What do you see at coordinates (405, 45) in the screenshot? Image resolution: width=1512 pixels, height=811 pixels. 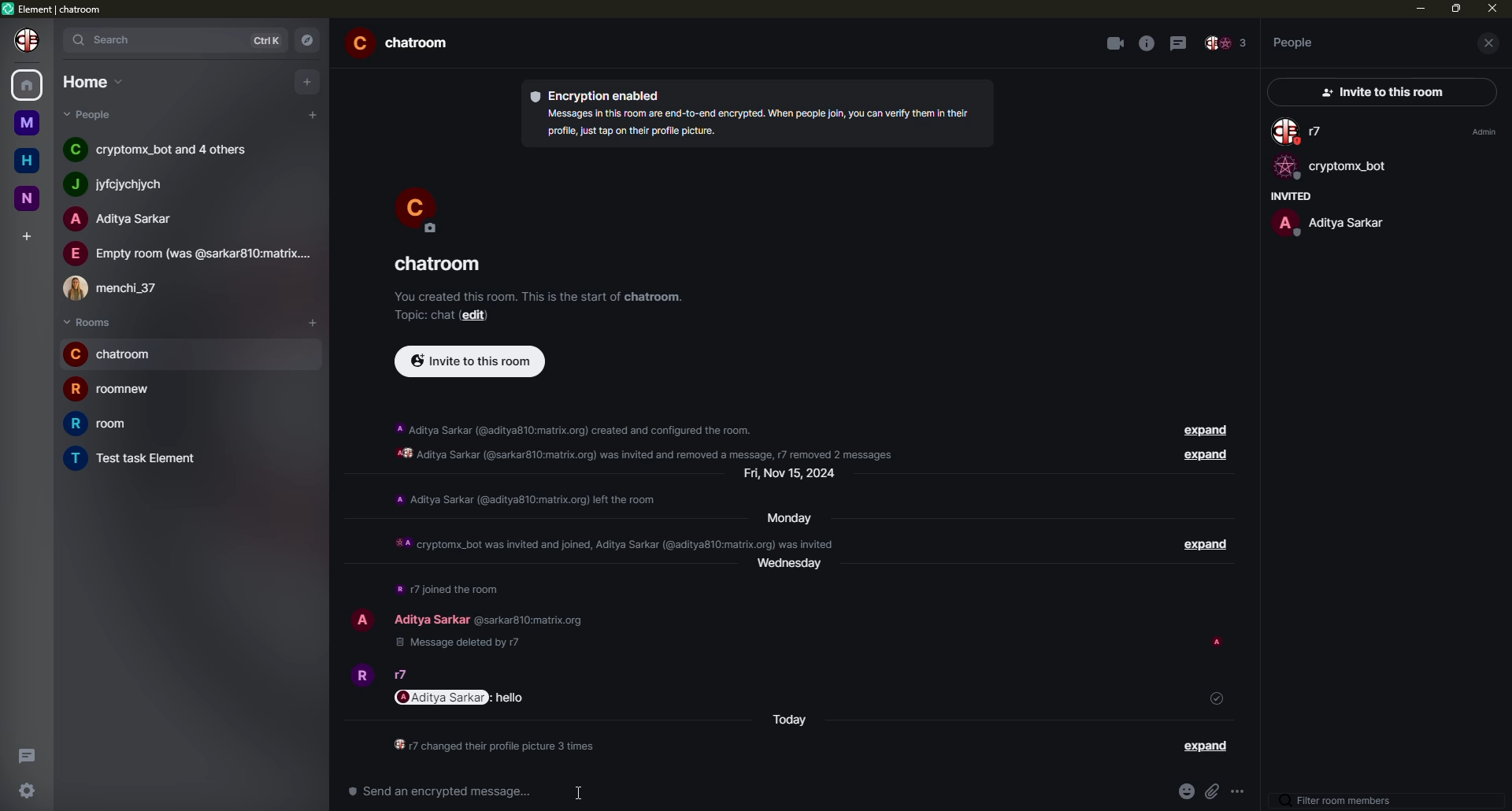 I see `room` at bounding box center [405, 45].